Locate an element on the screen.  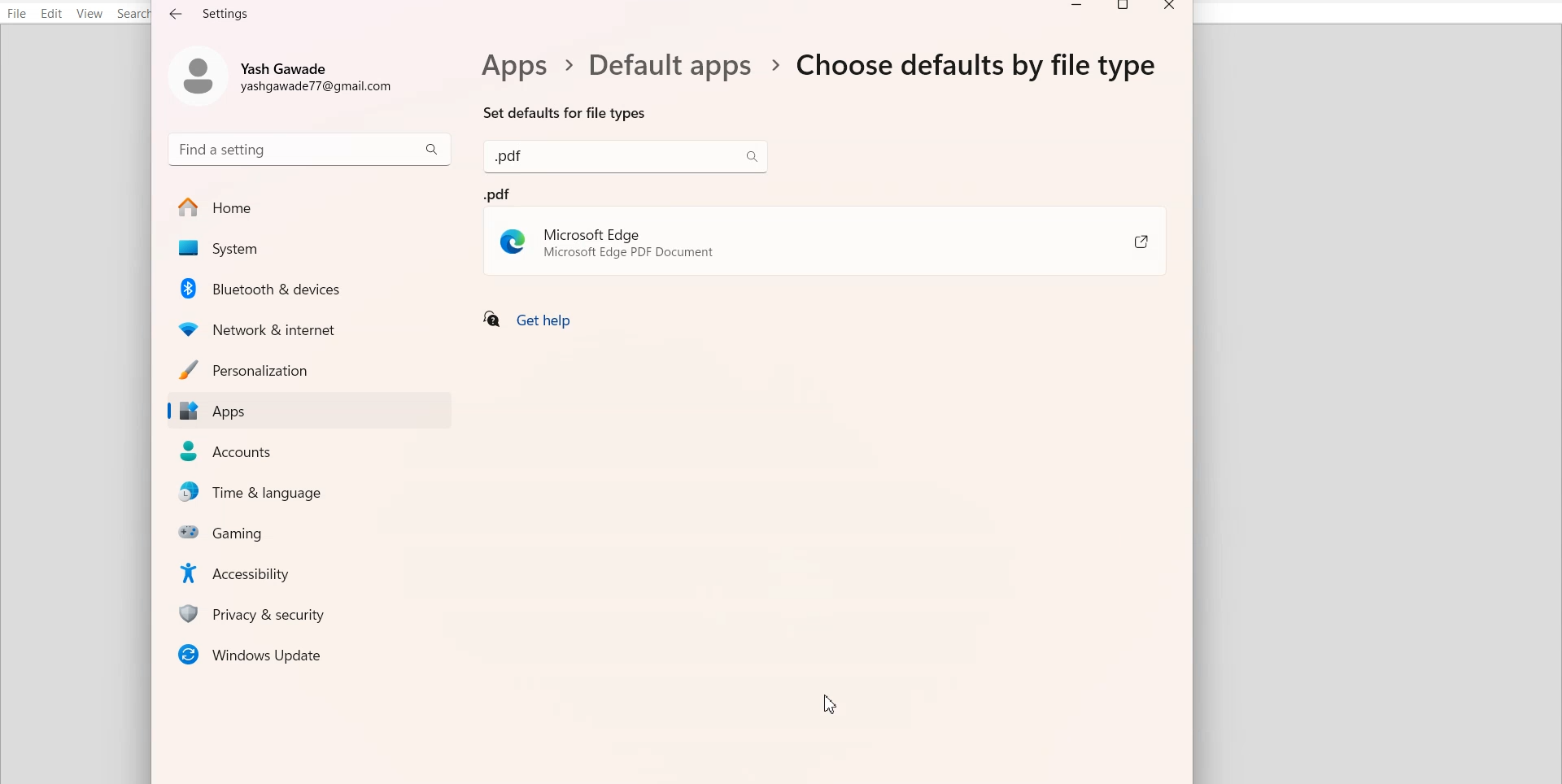
Text is located at coordinates (211, 13).